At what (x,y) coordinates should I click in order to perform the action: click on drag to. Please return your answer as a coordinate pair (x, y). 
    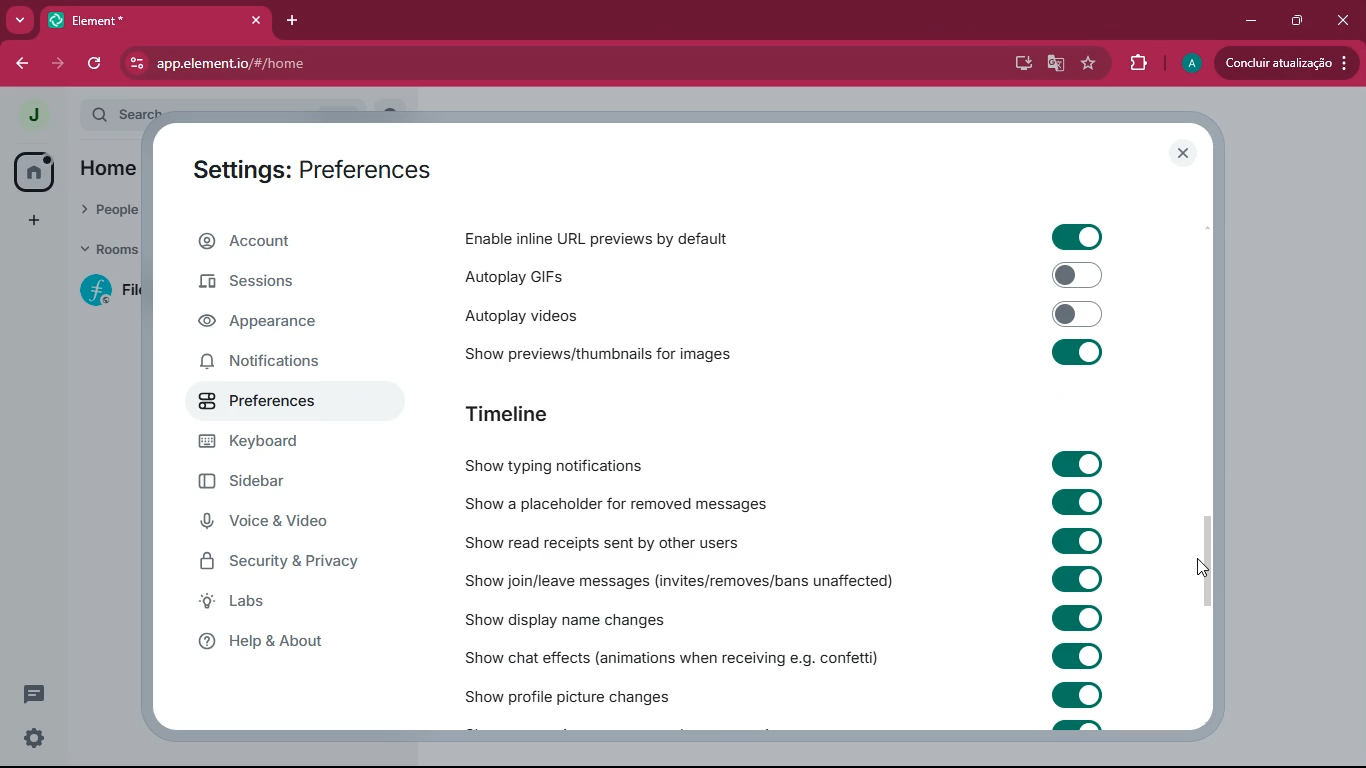
    Looking at the image, I should click on (1205, 567).